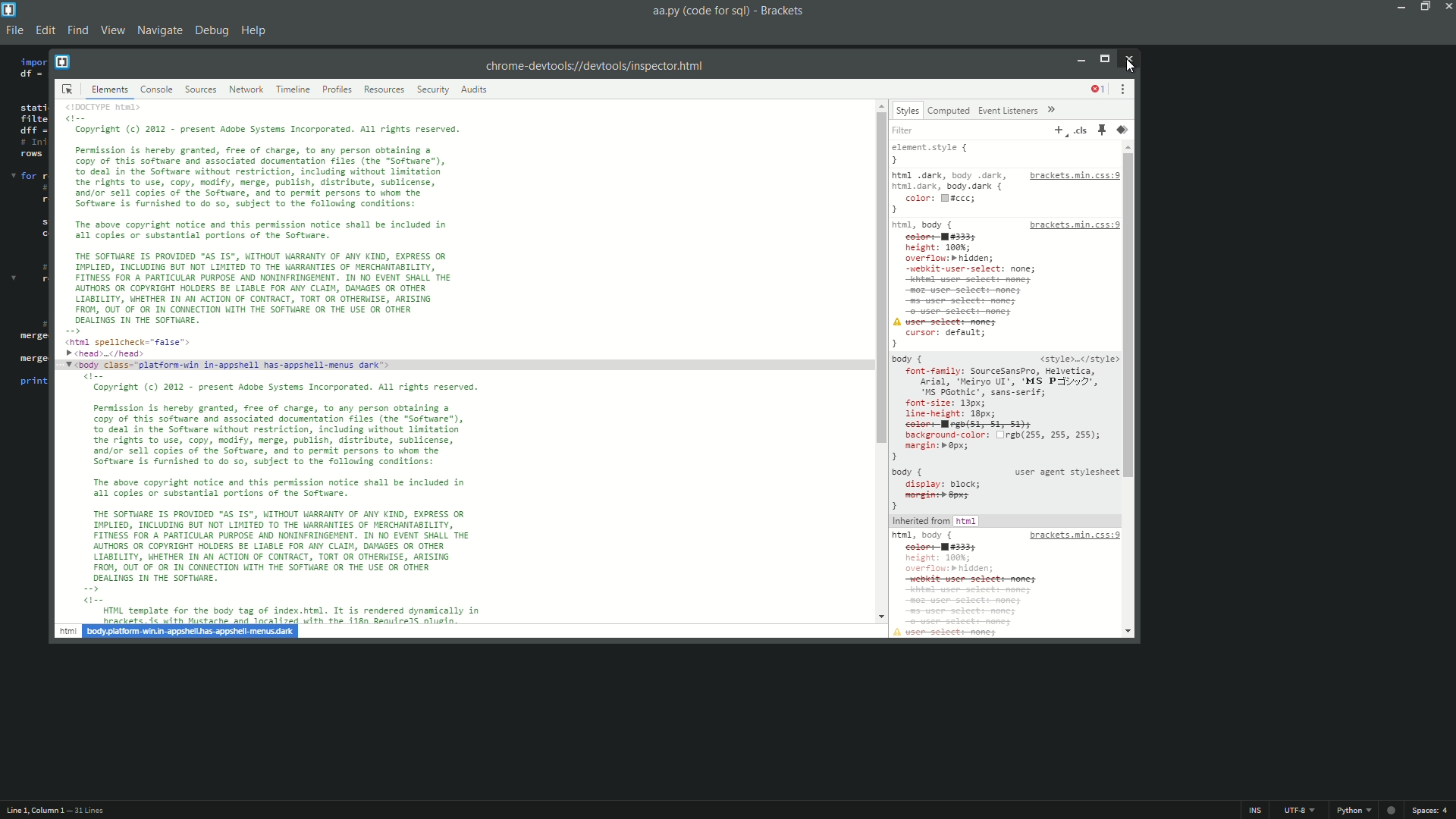  Describe the element at coordinates (70, 89) in the screenshot. I see `select an element in a page` at that location.